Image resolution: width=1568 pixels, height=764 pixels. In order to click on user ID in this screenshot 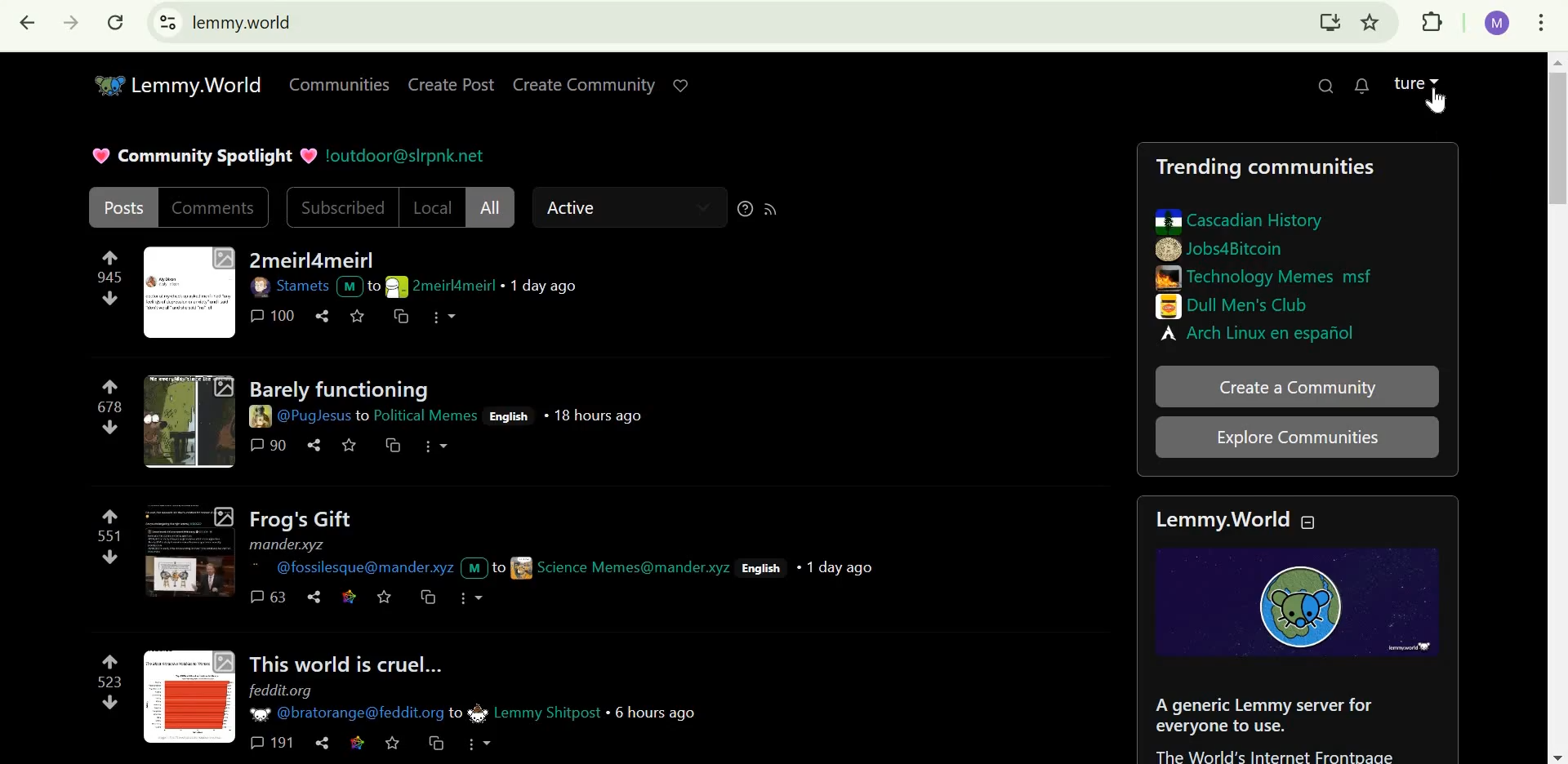, I will do `click(305, 286)`.